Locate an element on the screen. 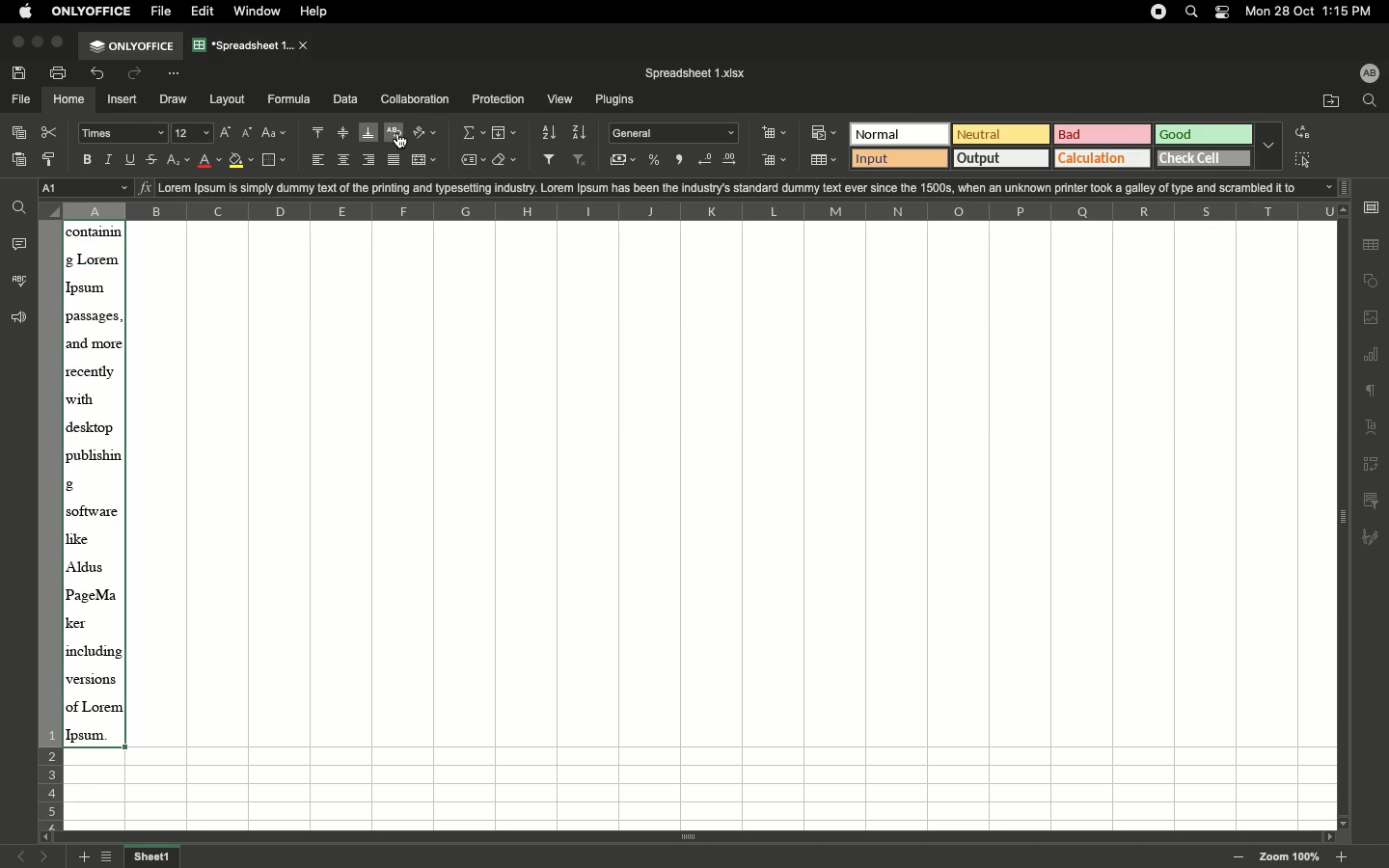 The height and width of the screenshot is (868, 1389). table settings is located at coordinates (1371, 244).